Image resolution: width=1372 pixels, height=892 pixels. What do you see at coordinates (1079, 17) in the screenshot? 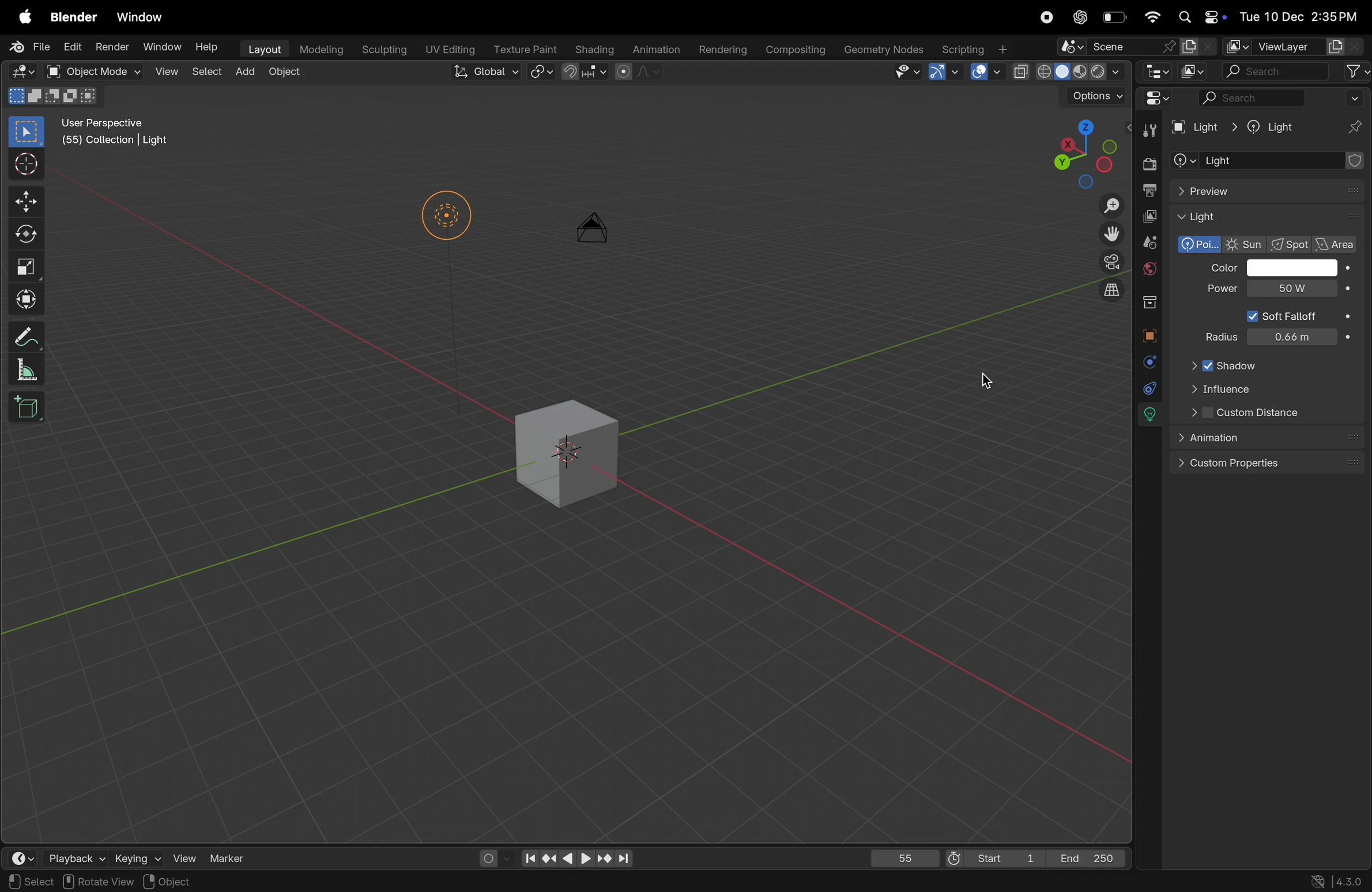
I see `cahtgpt` at bounding box center [1079, 17].